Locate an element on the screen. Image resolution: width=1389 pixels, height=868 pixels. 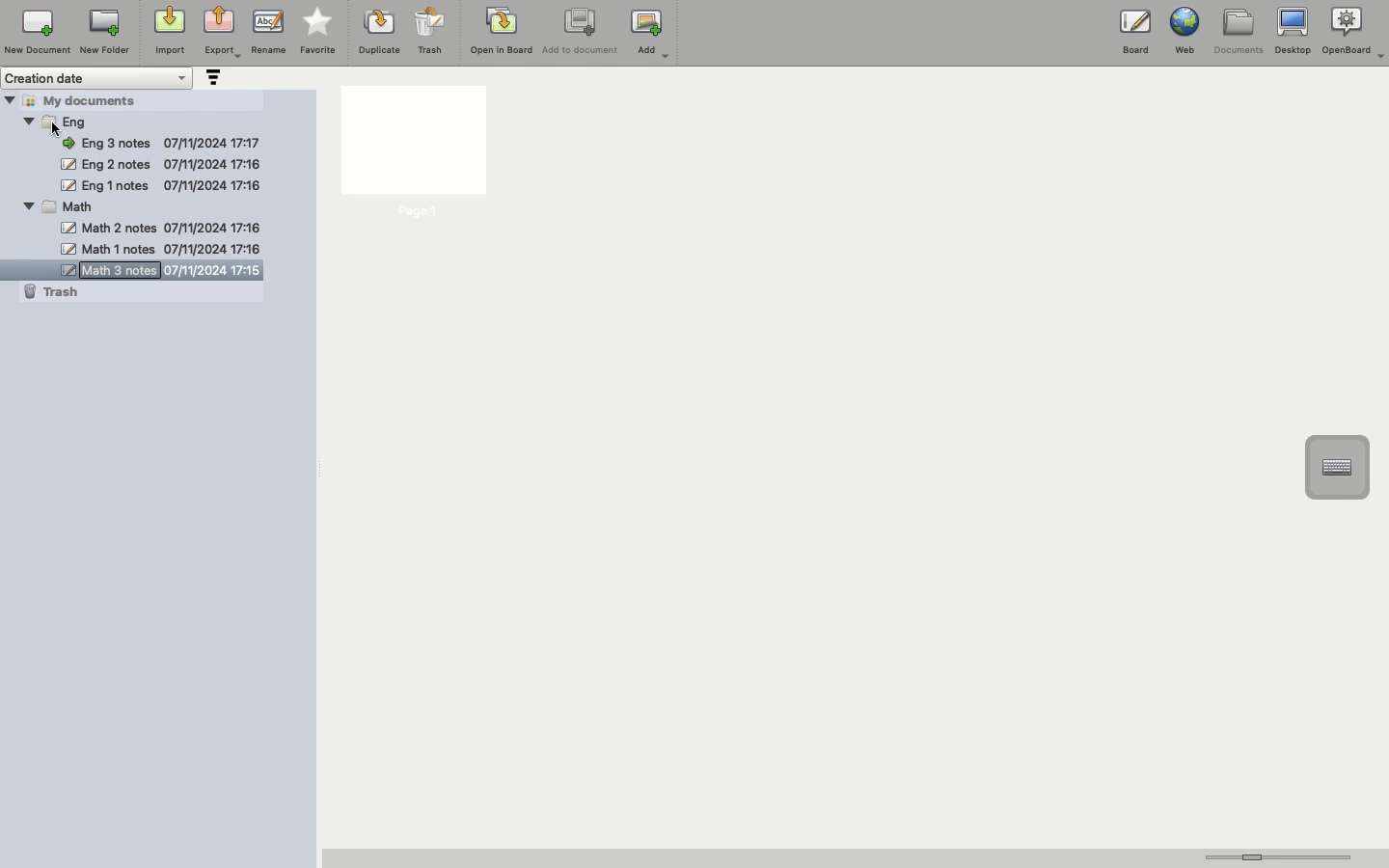
Text input is located at coordinates (1336, 468).